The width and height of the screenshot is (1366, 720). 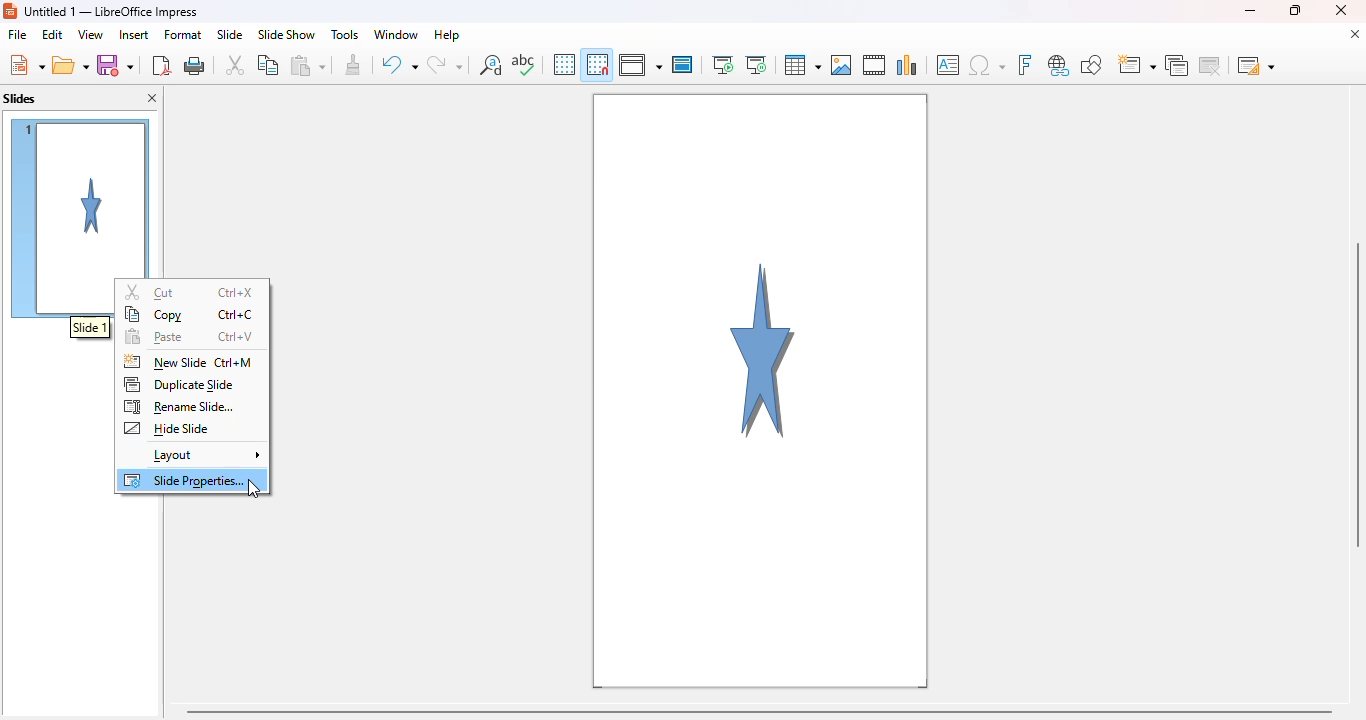 What do you see at coordinates (640, 64) in the screenshot?
I see `display views` at bounding box center [640, 64].